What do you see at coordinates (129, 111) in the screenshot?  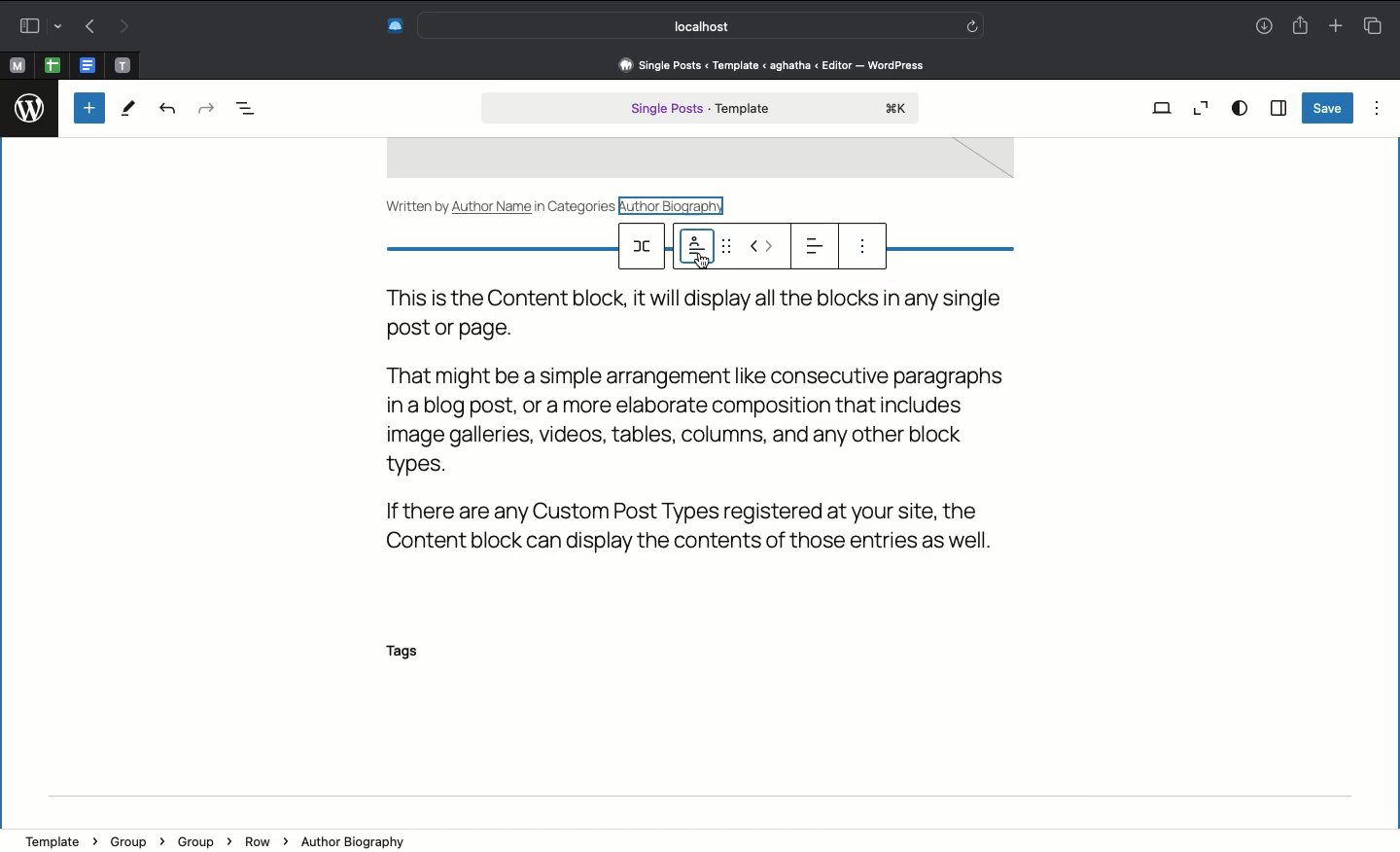 I see `Tools` at bounding box center [129, 111].